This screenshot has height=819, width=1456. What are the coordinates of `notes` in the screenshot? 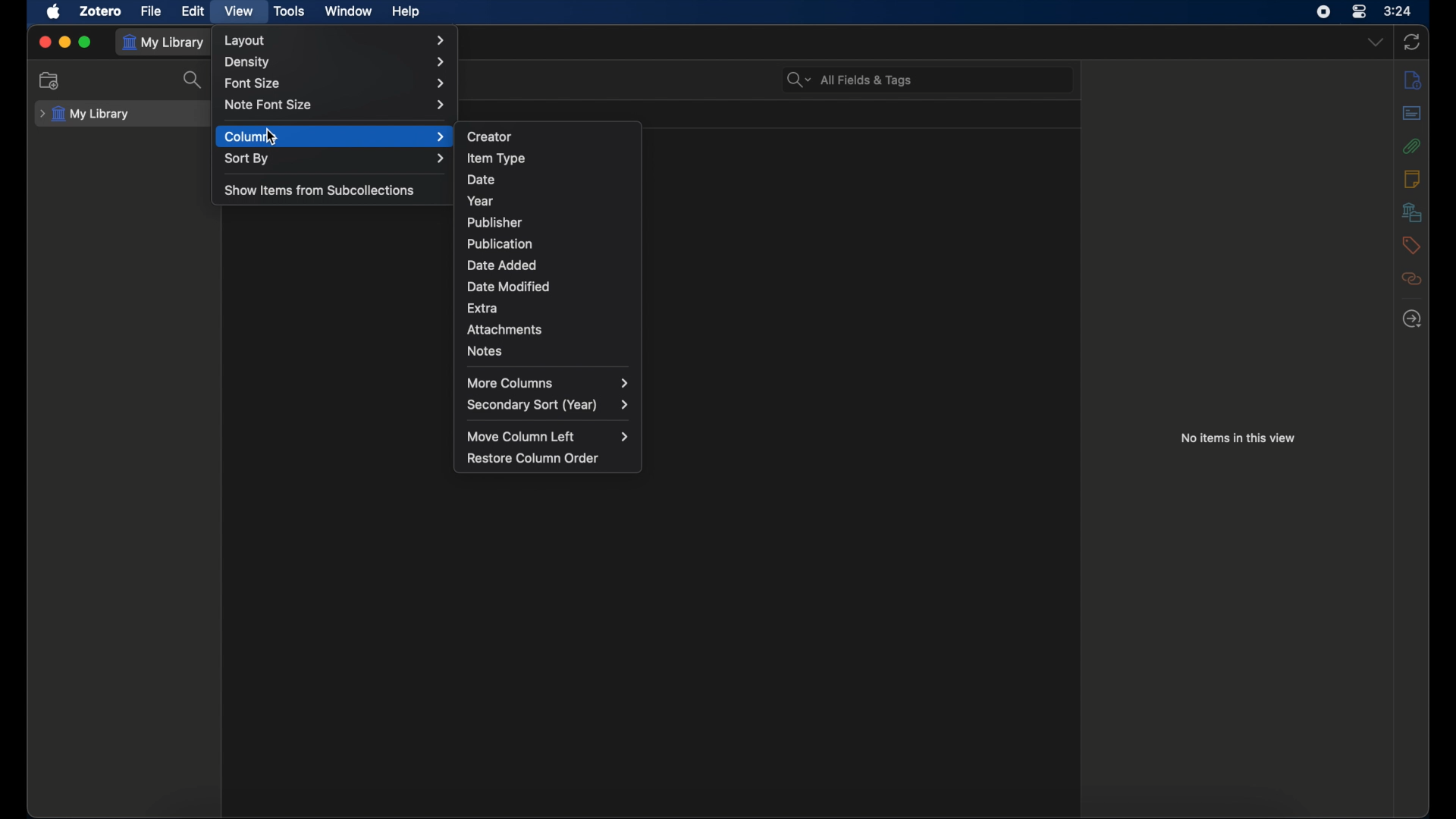 It's located at (486, 350).